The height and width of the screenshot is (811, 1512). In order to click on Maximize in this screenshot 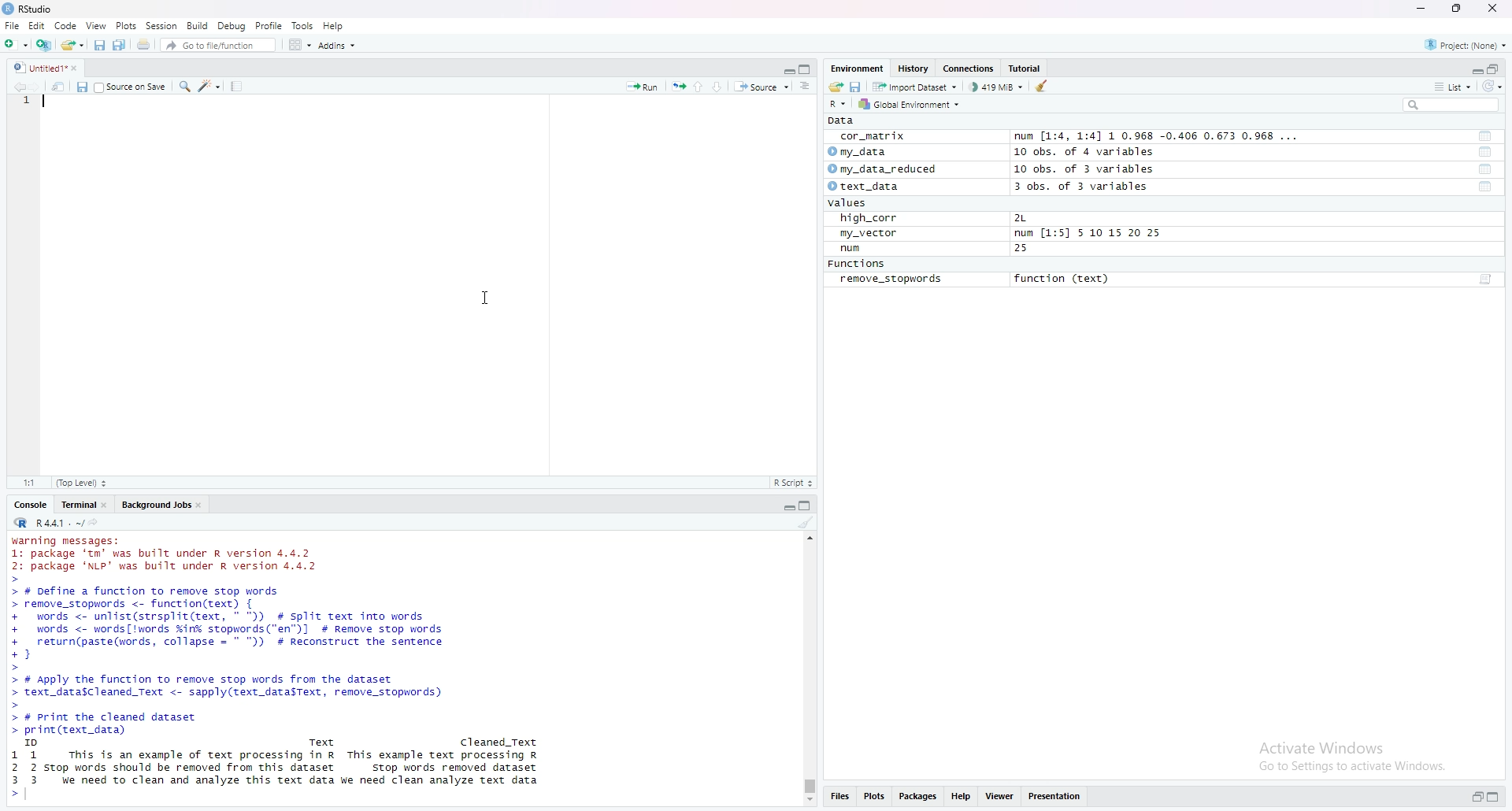, I will do `click(808, 69)`.